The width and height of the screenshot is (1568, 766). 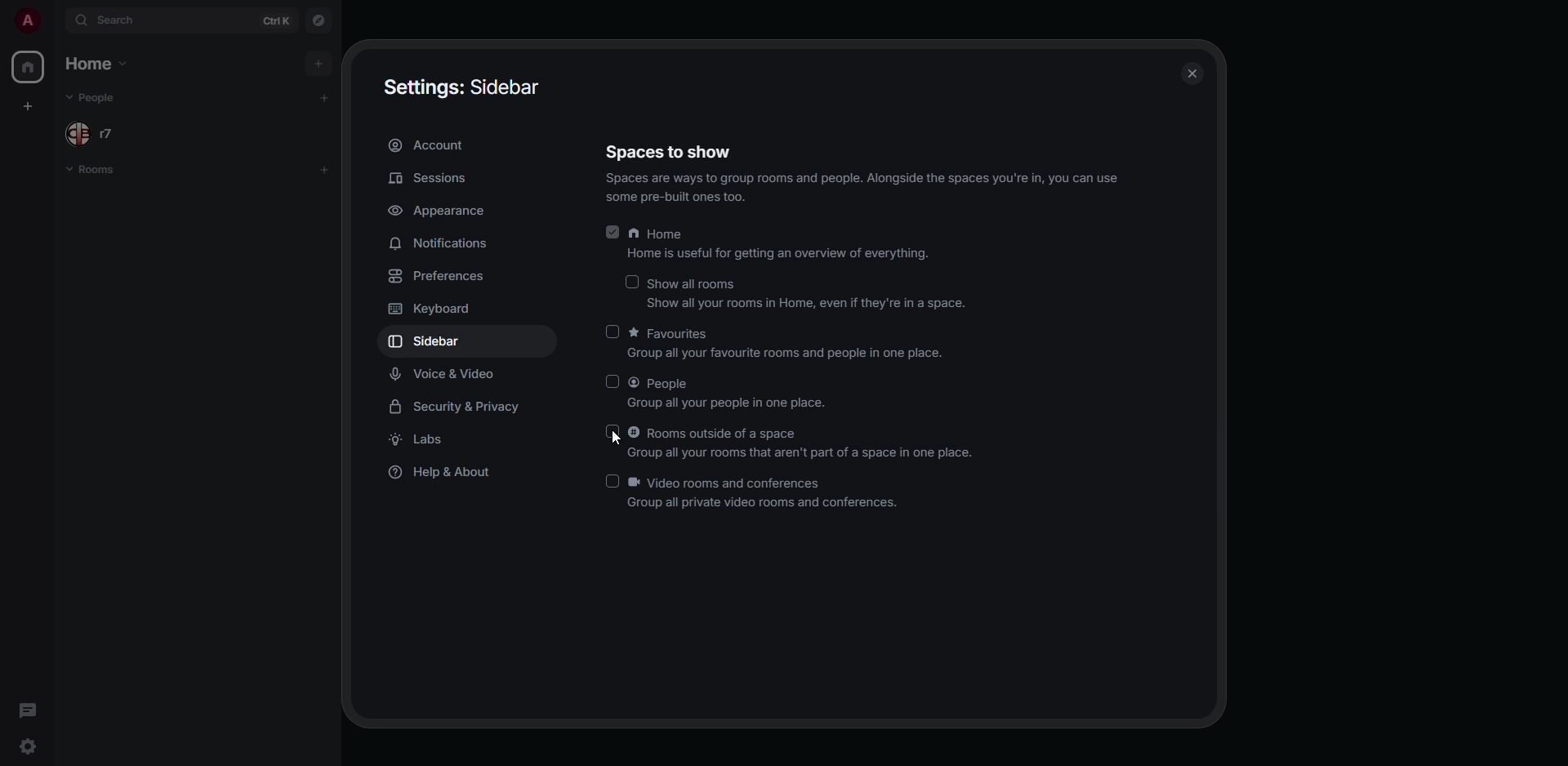 I want to click on expand, so click(x=56, y=19).